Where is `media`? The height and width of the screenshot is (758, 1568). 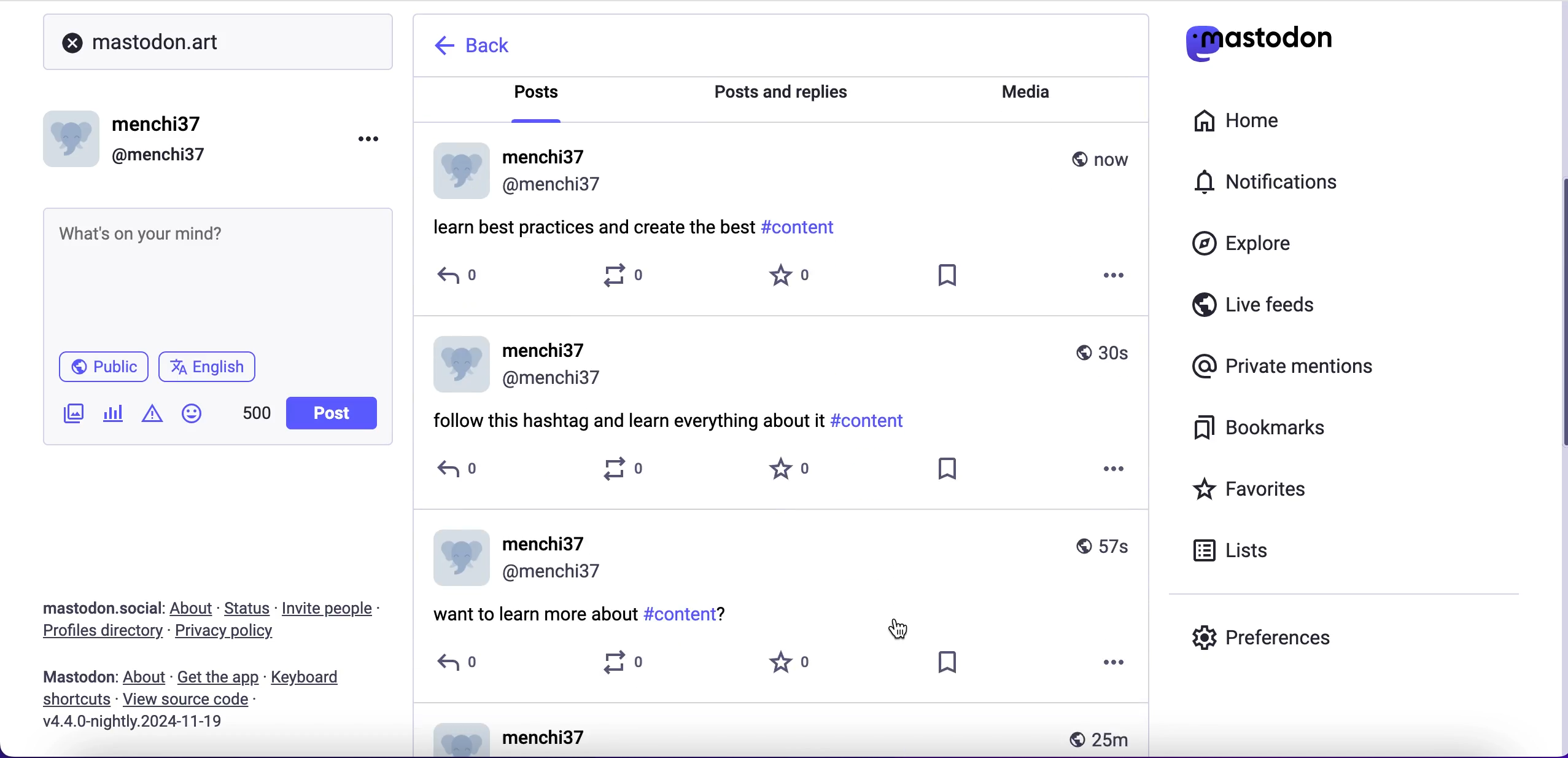 media is located at coordinates (1030, 92).